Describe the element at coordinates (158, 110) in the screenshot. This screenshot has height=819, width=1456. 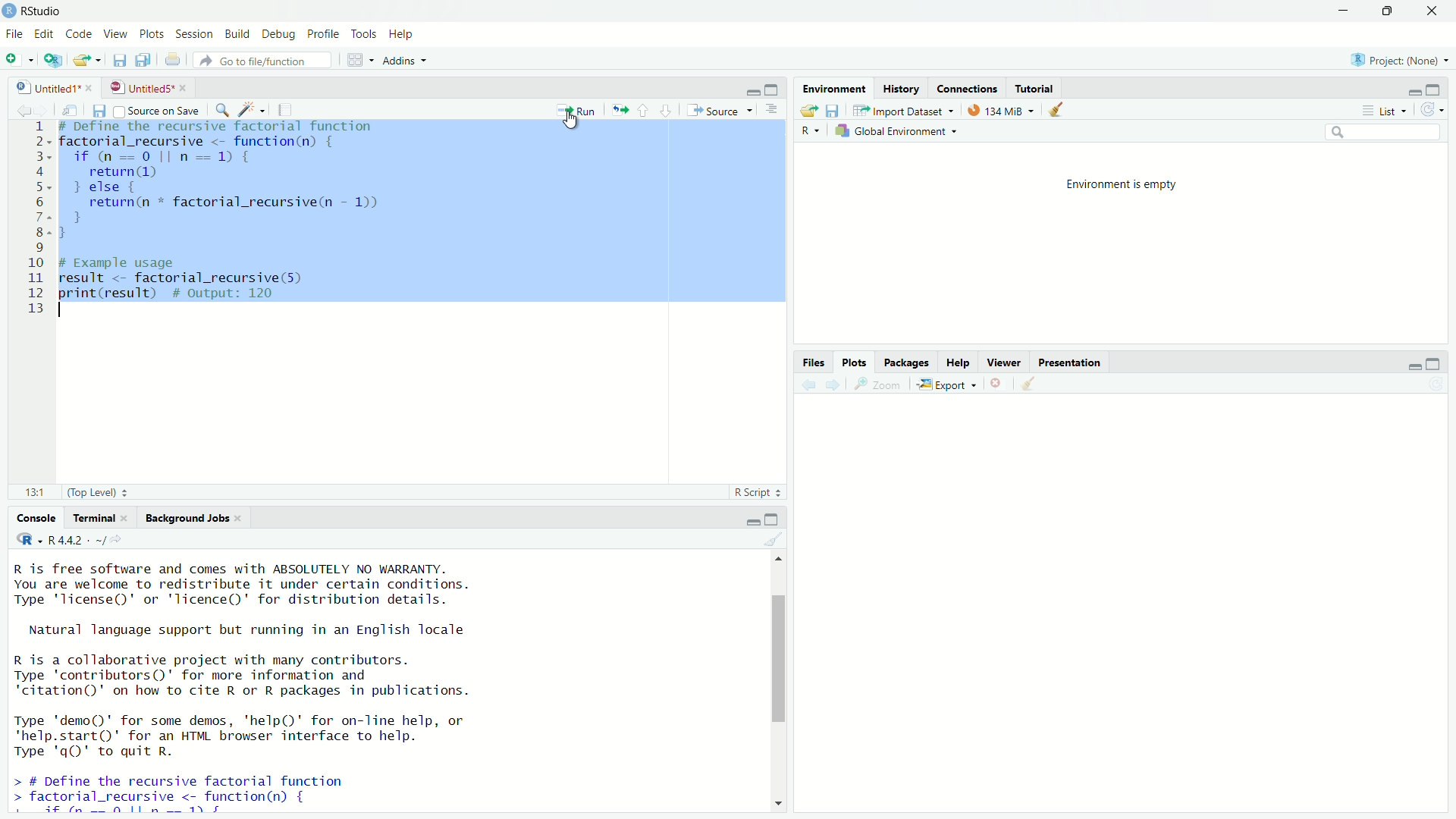
I see `Sourceon Save` at that location.